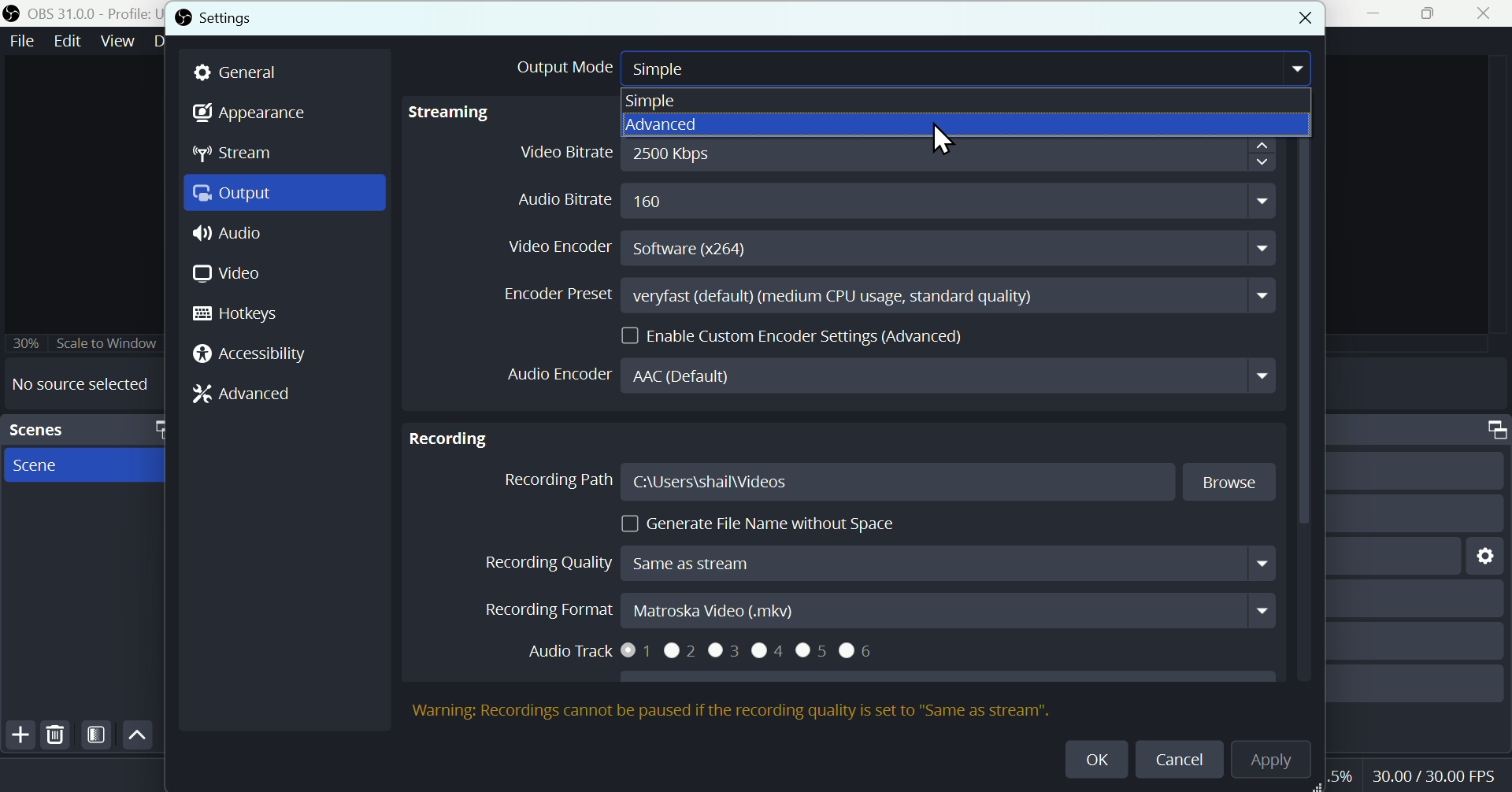 The height and width of the screenshot is (792, 1512). I want to click on cursor on Advanced, so click(943, 139).